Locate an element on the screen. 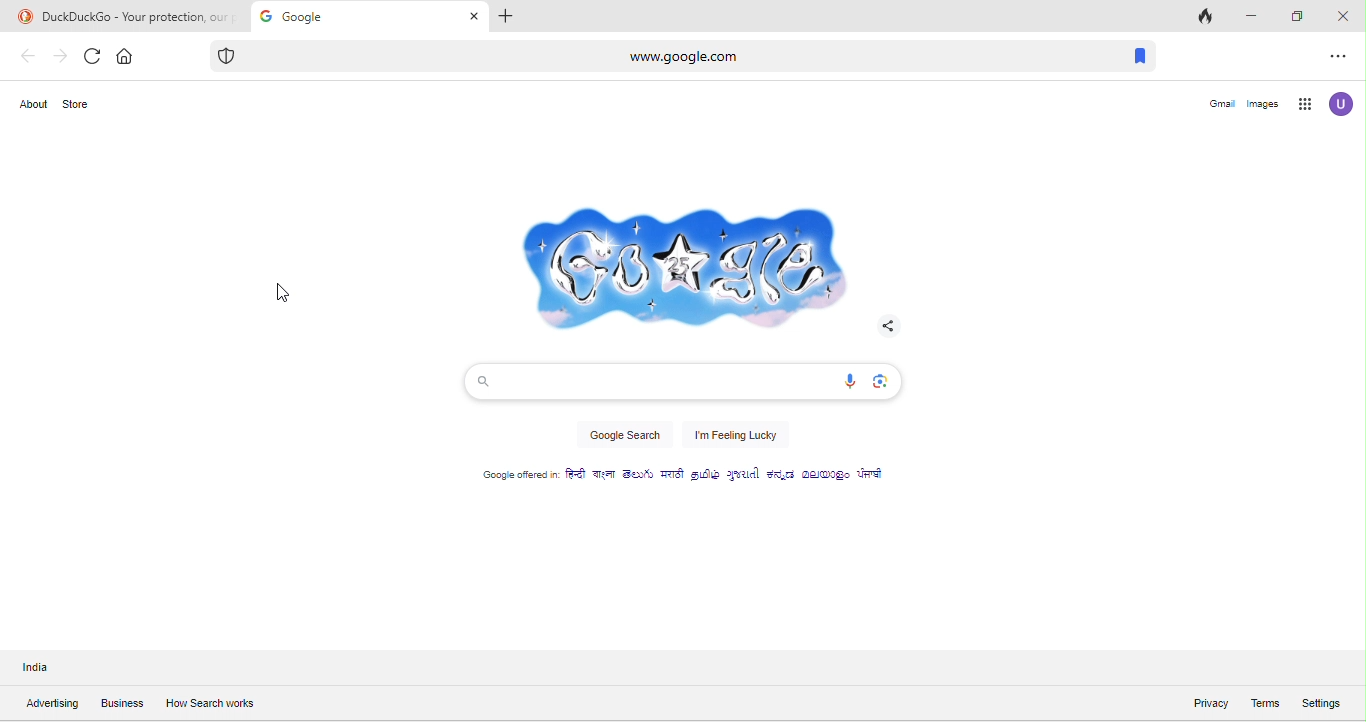 This screenshot has height=722, width=1366. search bar is located at coordinates (680, 381).